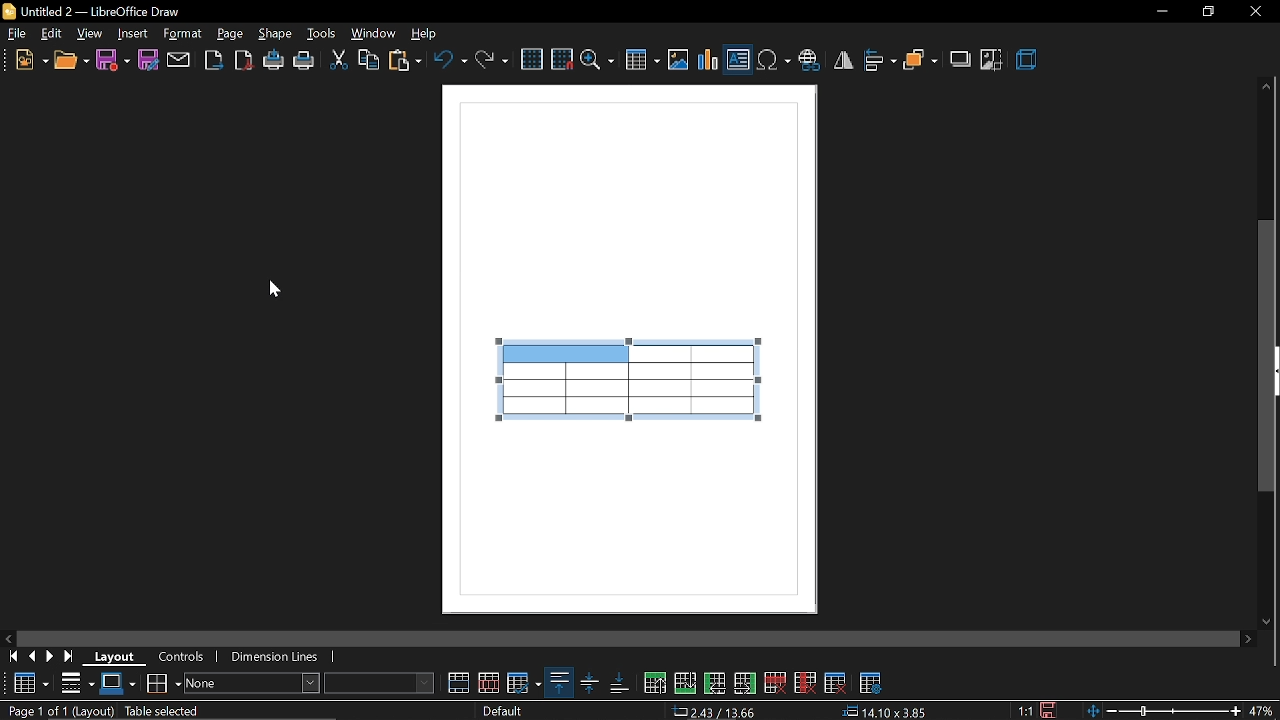 Image resolution: width=1280 pixels, height=720 pixels. Describe the element at coordinates (558, 682) in the screenshot. I see `align top` at that location.